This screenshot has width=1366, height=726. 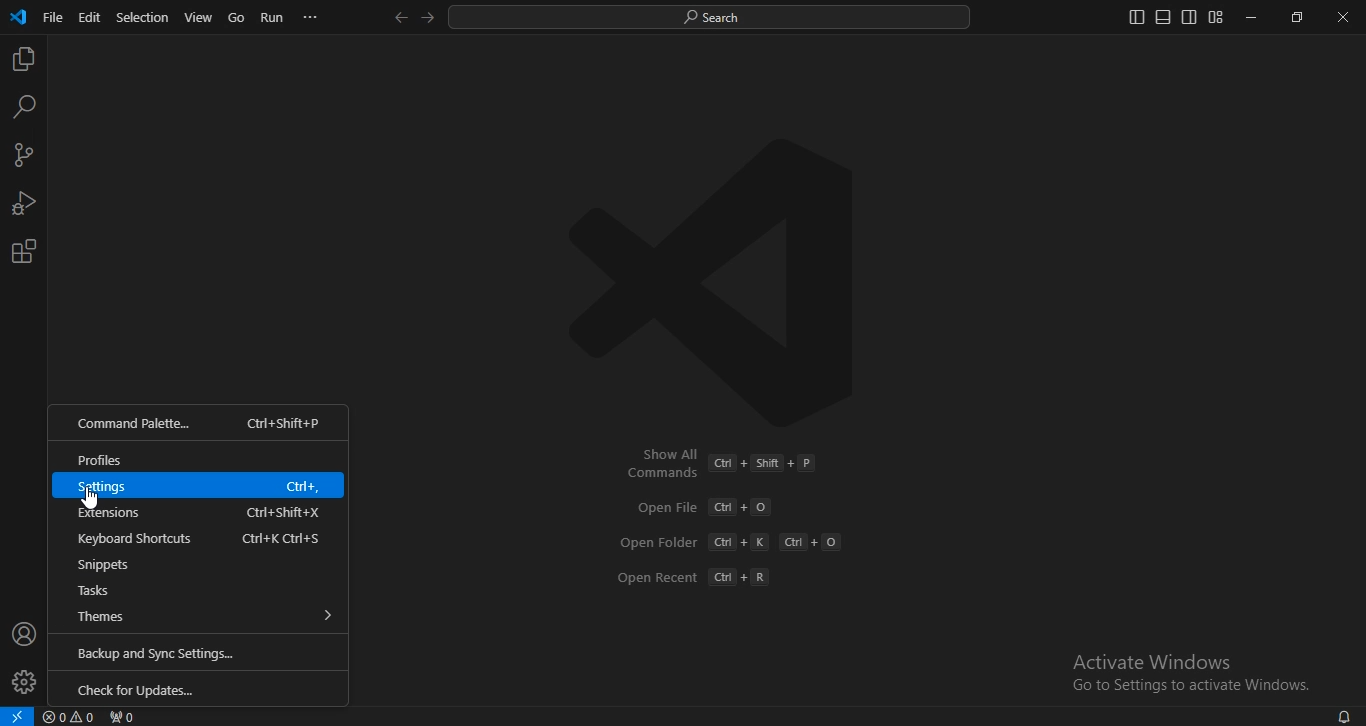 What do you see at coordinates (23, 252) in the screenshot?
I see `extensions` at bounding box center [23, 252].